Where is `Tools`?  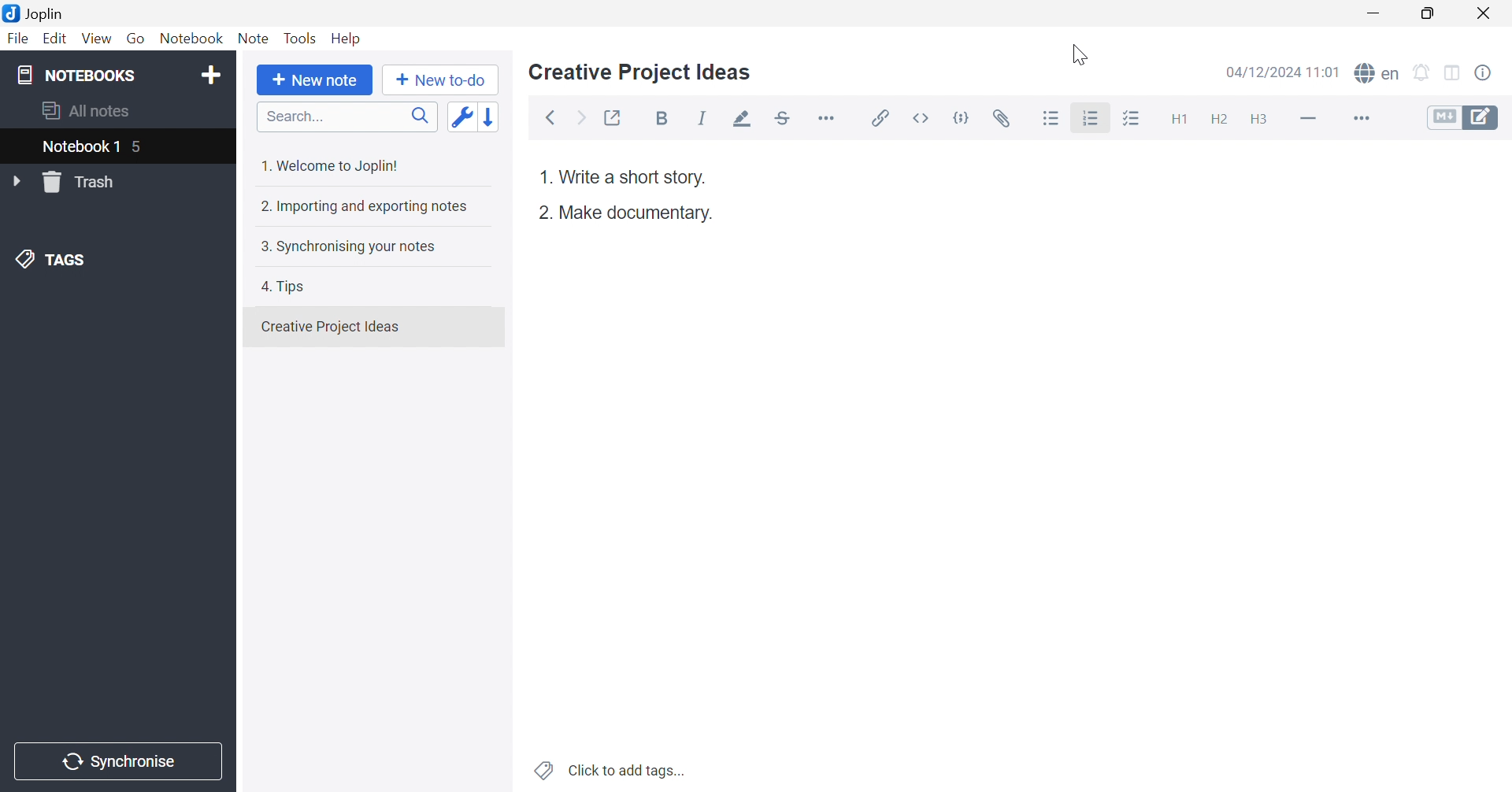
Tools is located at coordinates (302, 37).